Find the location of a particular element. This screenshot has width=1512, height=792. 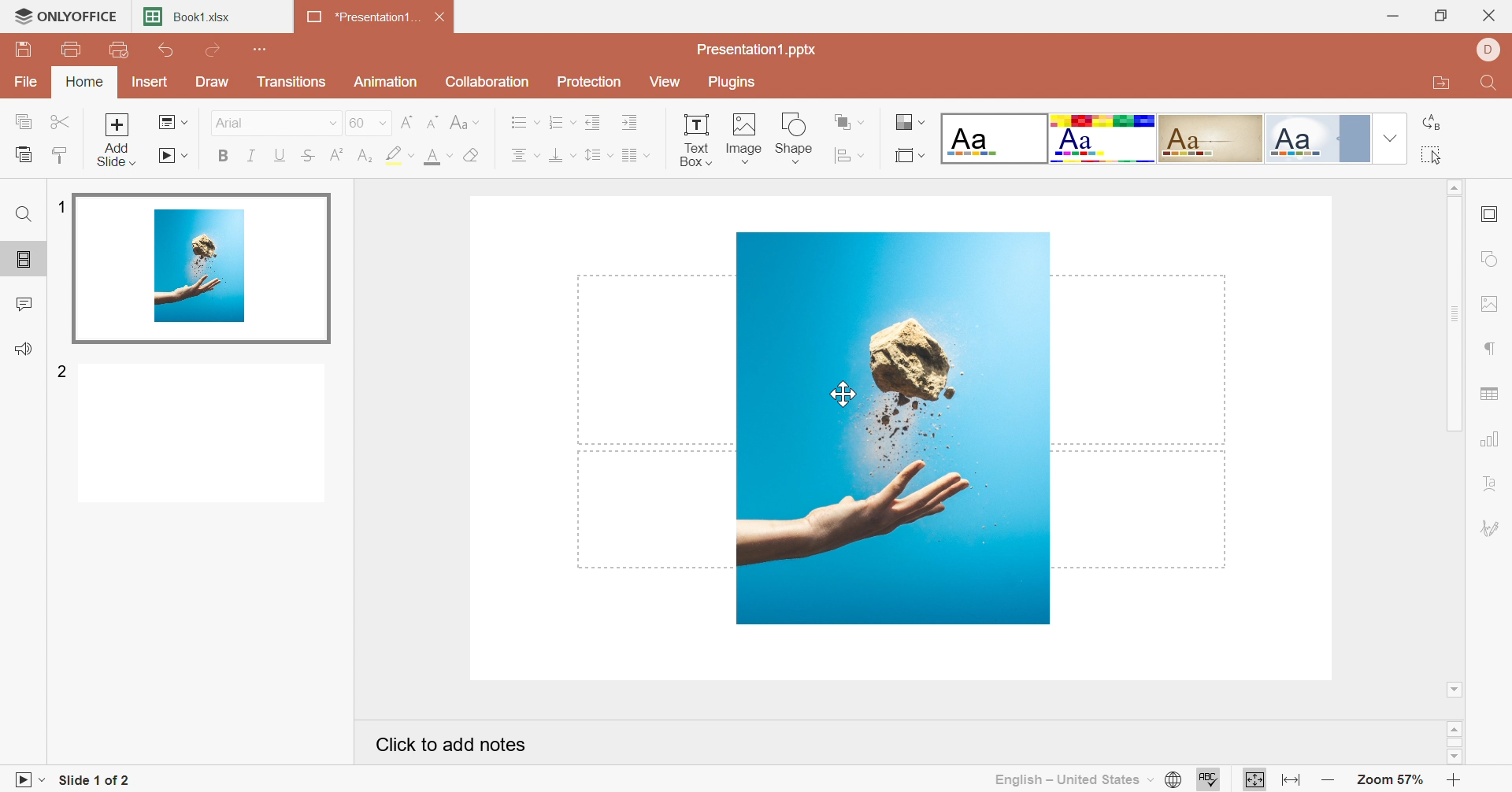

Increment font size is located at coordinates (406, 120).